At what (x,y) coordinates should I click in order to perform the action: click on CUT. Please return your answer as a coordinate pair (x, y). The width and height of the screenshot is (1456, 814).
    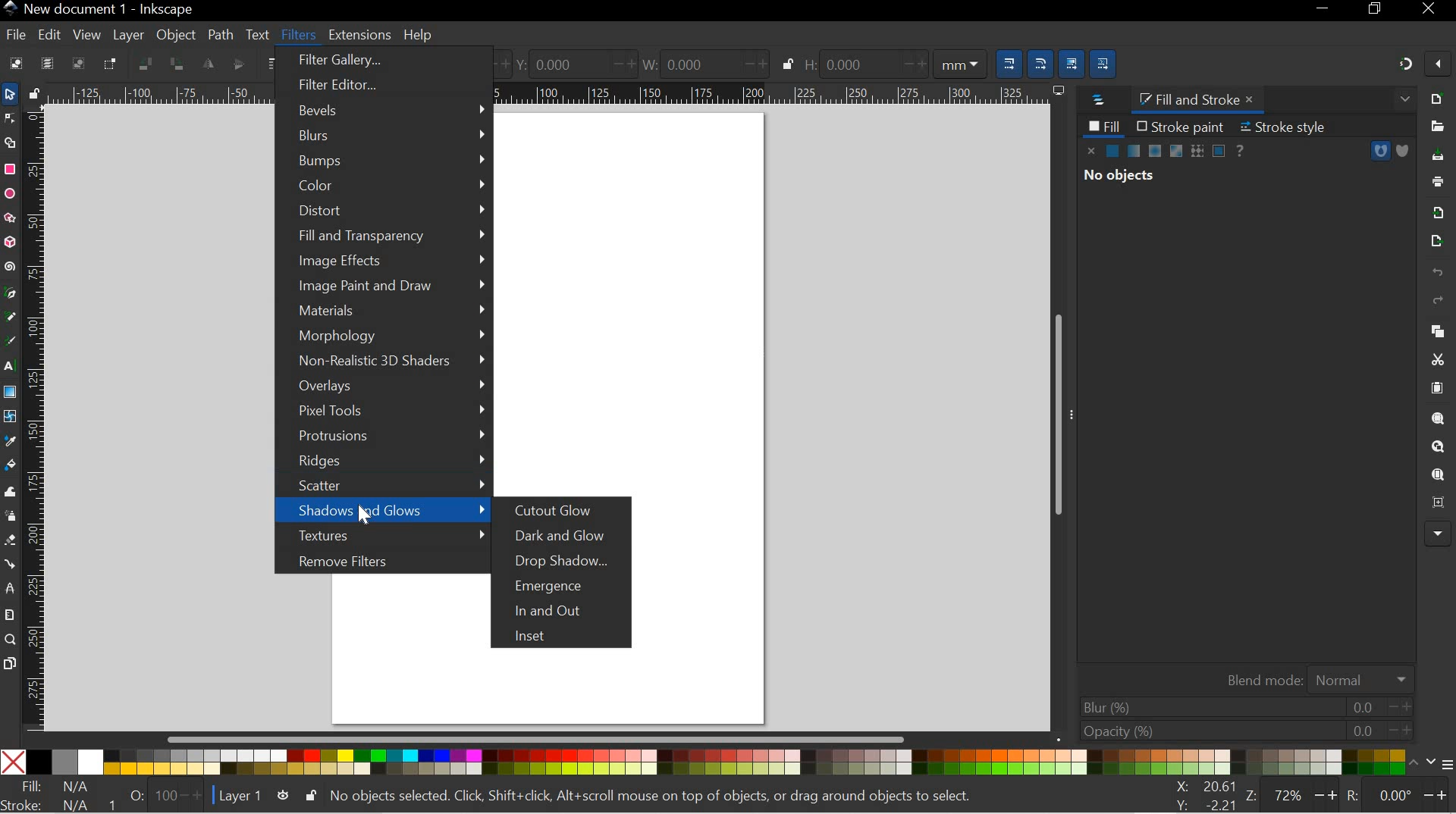
    Looking at the image, I should click on (1437, 359).